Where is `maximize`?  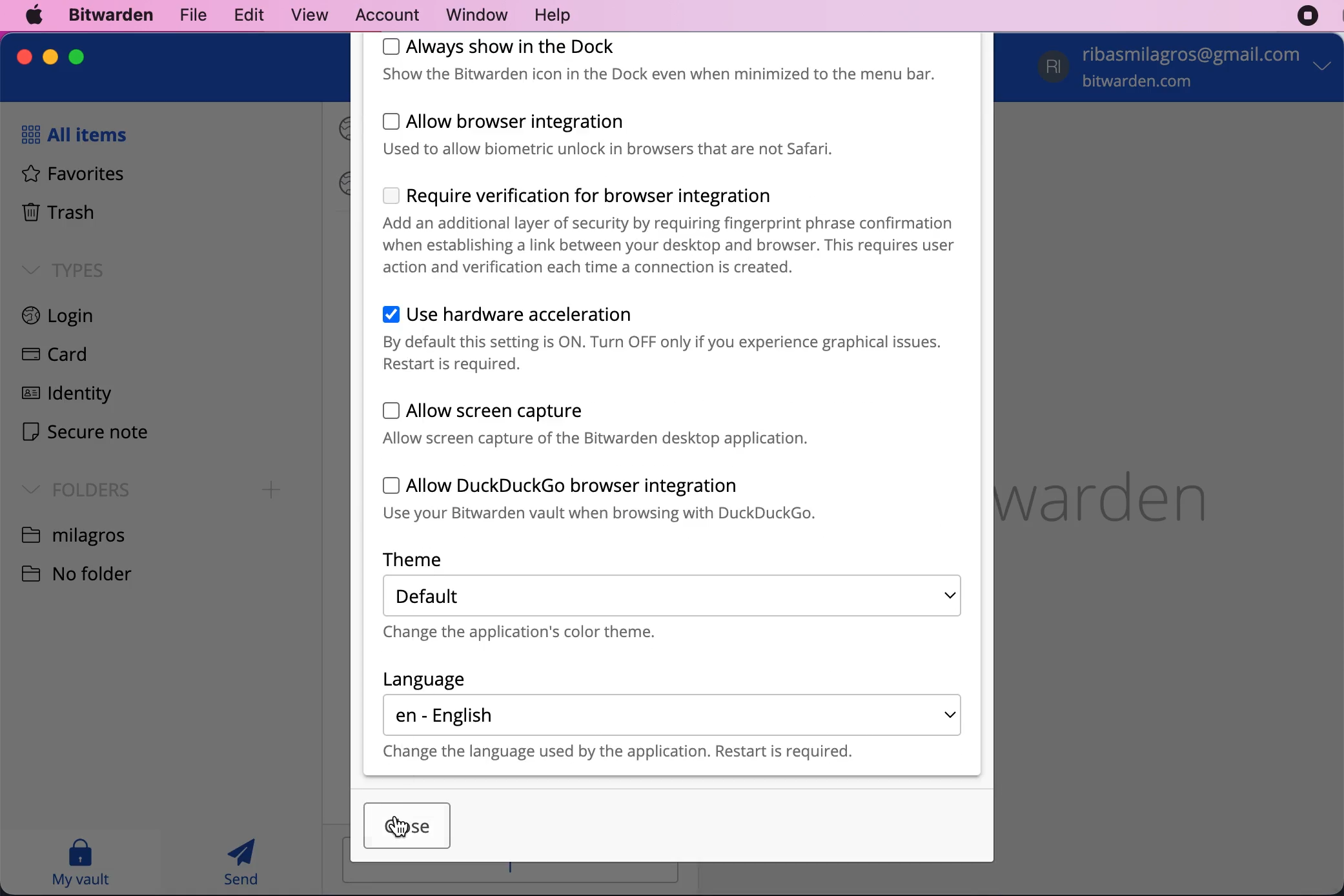 maximize is located at coordinates (76, 56).